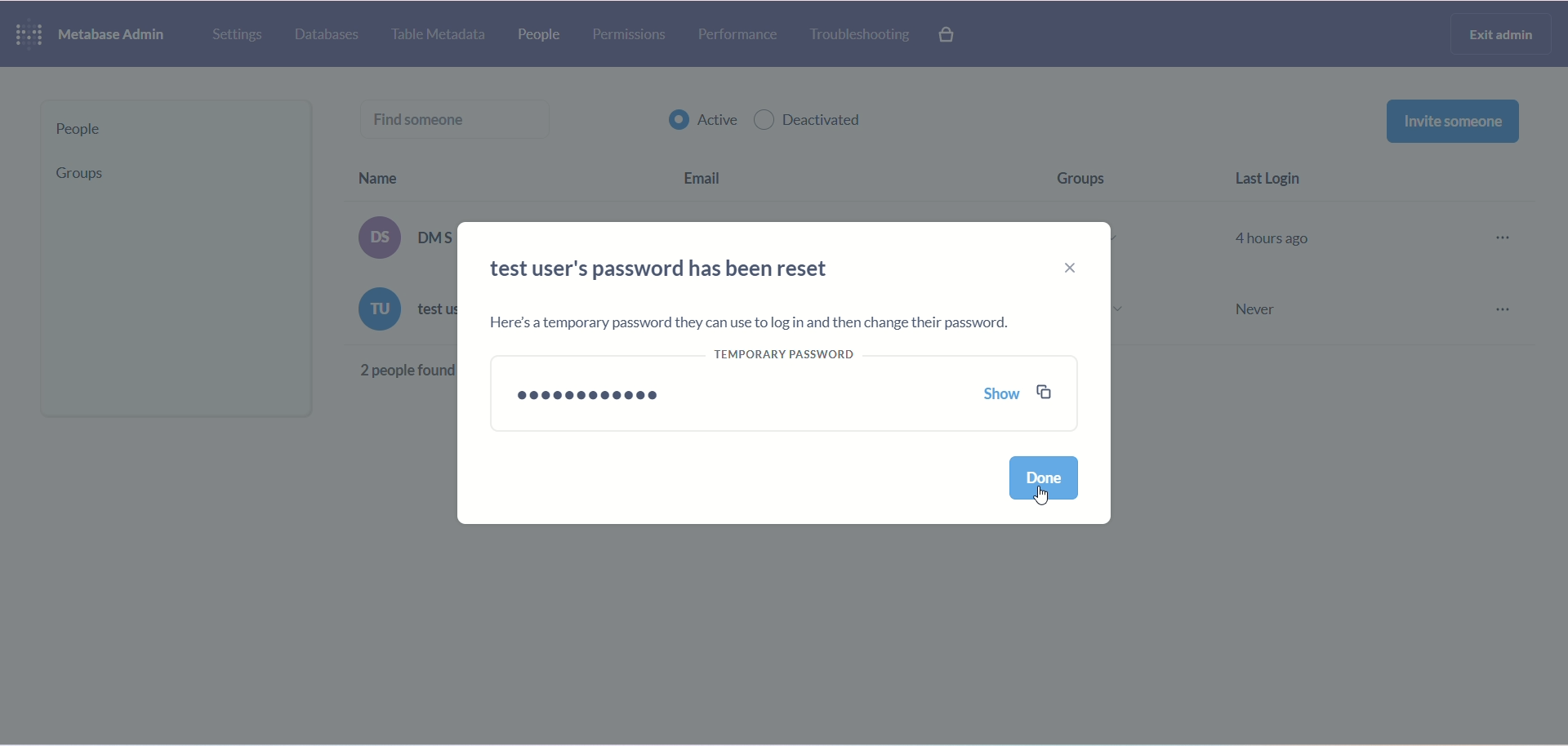  I want to click on metabase admin, so click(118, 38).